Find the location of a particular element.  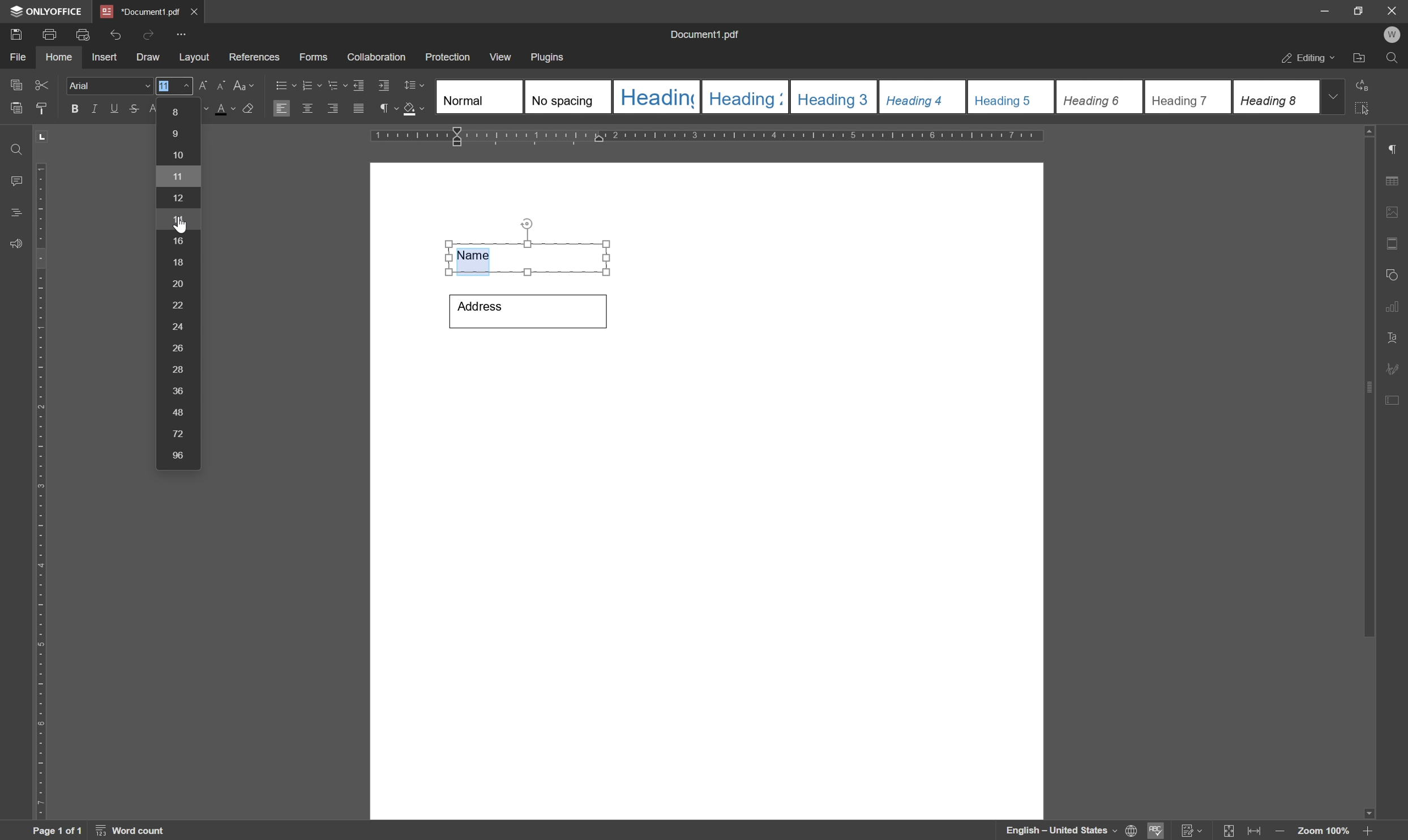

plugins is located at coordinates (549, 58).